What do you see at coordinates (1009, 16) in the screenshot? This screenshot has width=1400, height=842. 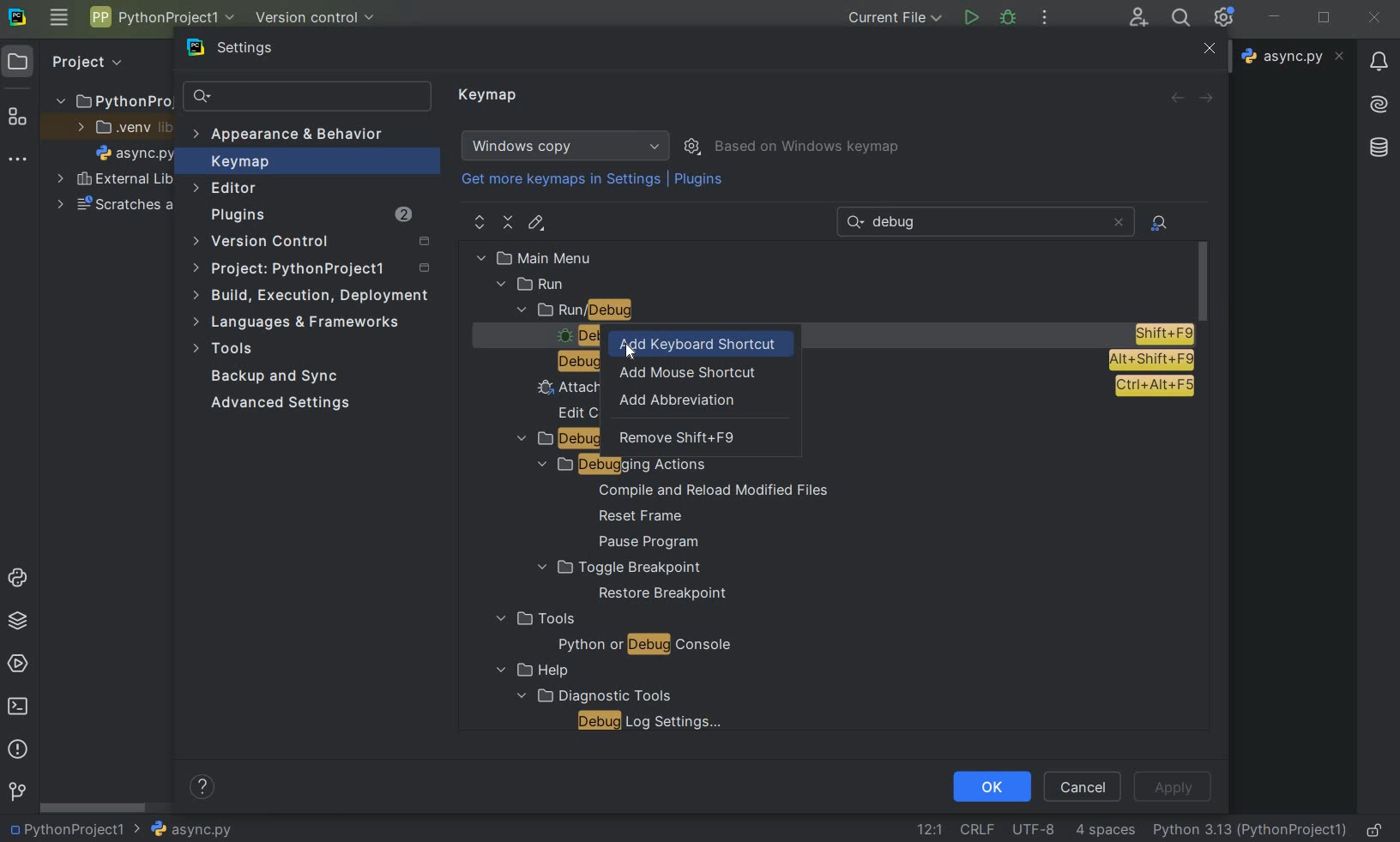 I see `debug` at bounding box center [1009, 16].